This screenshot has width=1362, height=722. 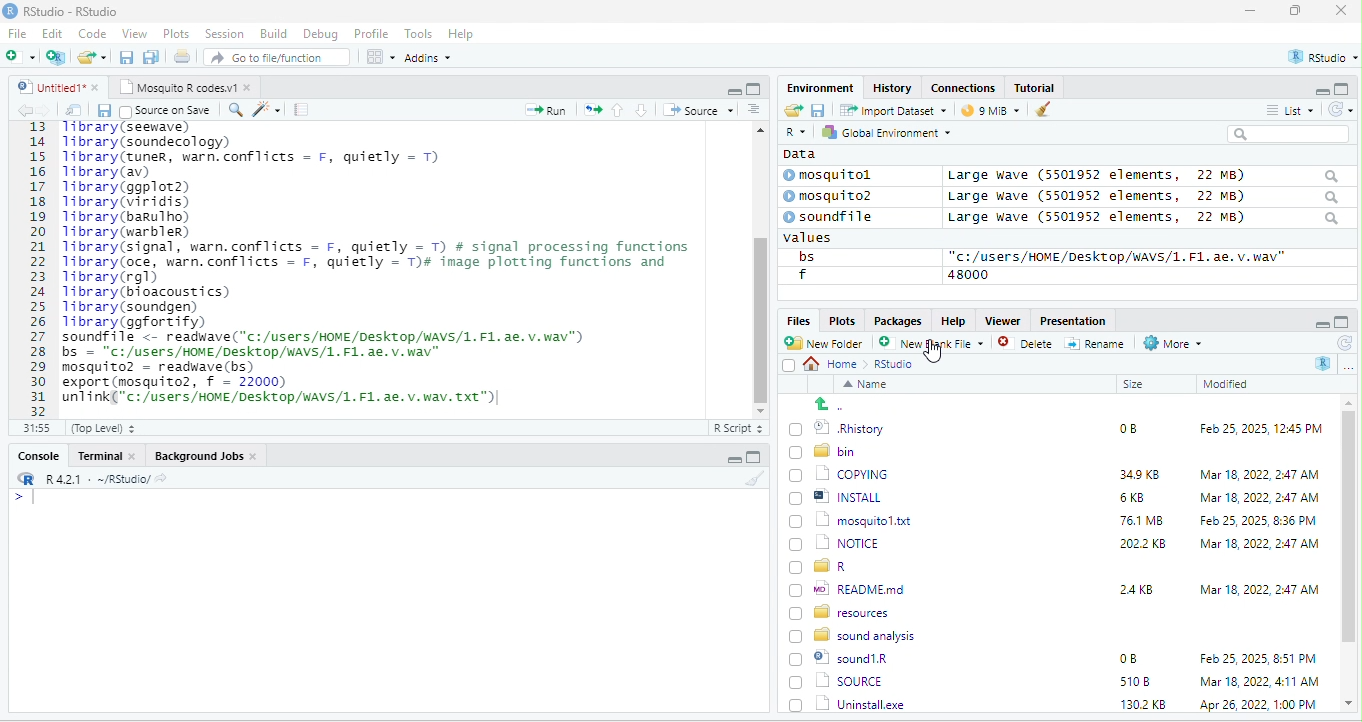 I want to click on # import Dataset, so click(x=891, y=109).